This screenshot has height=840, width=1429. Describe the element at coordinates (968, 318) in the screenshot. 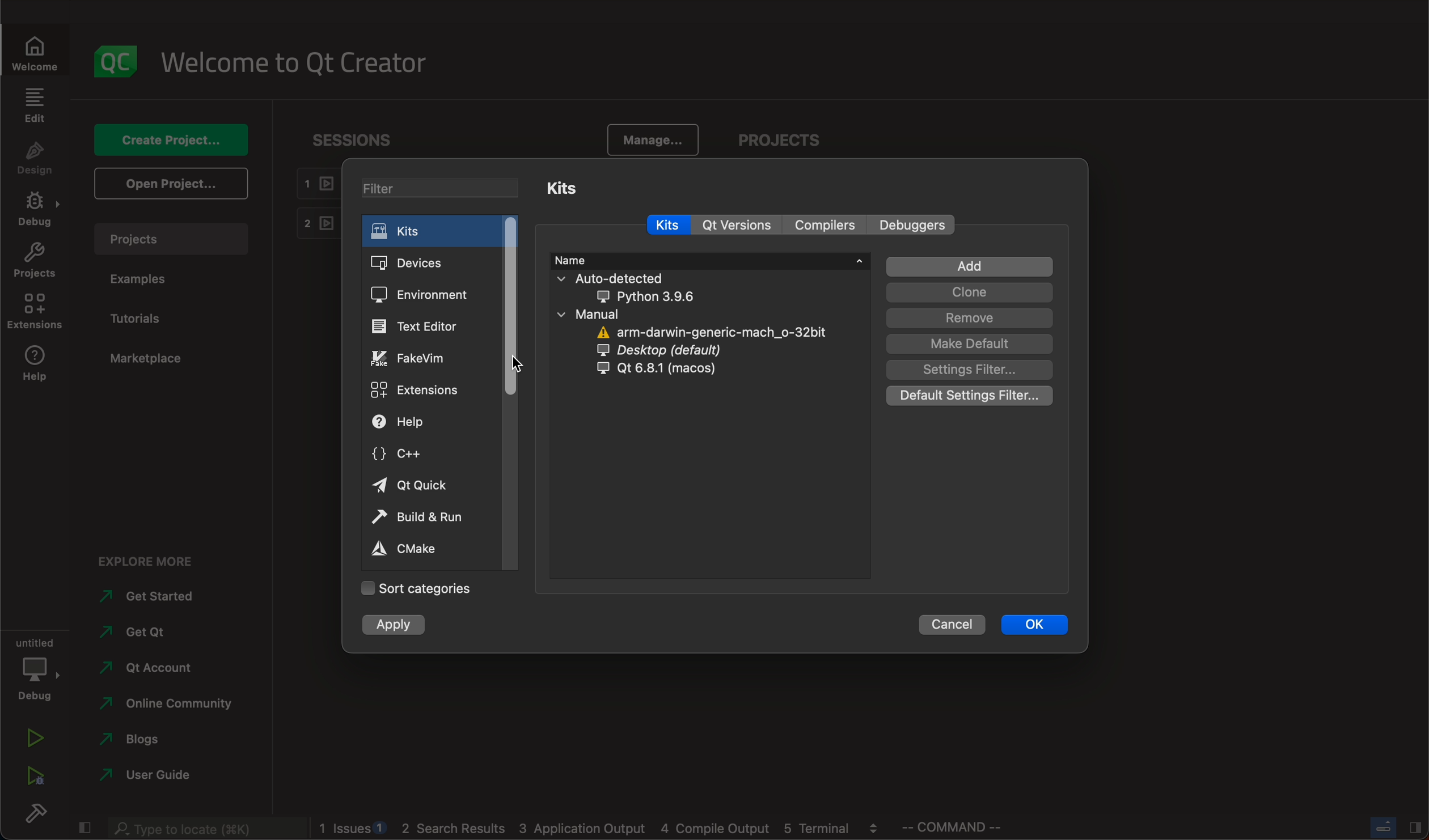

I see `remove` at that location.